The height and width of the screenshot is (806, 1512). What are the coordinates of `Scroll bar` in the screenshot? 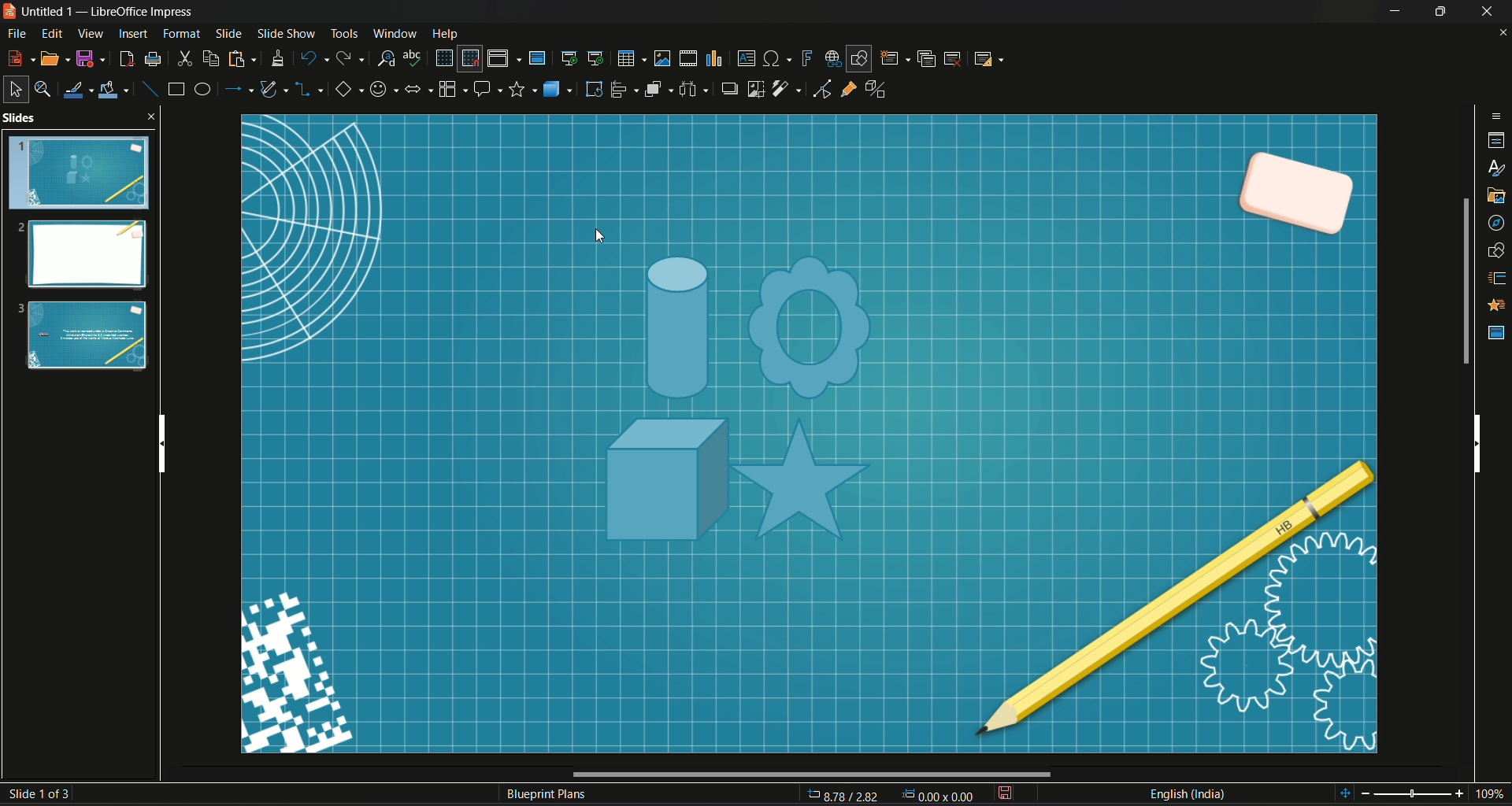 It's located at (1464, 281).